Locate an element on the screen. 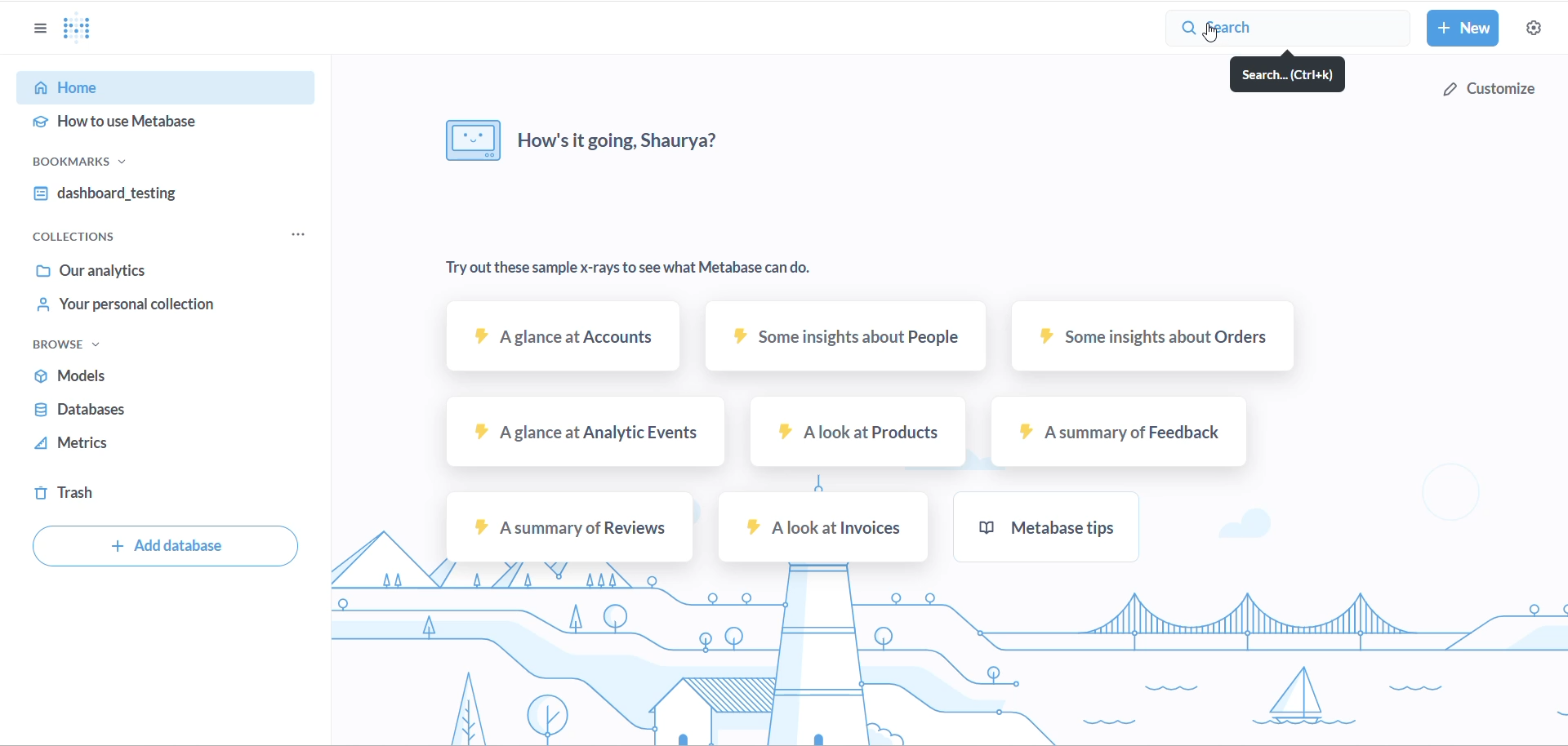  A look at products  is located at coordinates (855, 433).